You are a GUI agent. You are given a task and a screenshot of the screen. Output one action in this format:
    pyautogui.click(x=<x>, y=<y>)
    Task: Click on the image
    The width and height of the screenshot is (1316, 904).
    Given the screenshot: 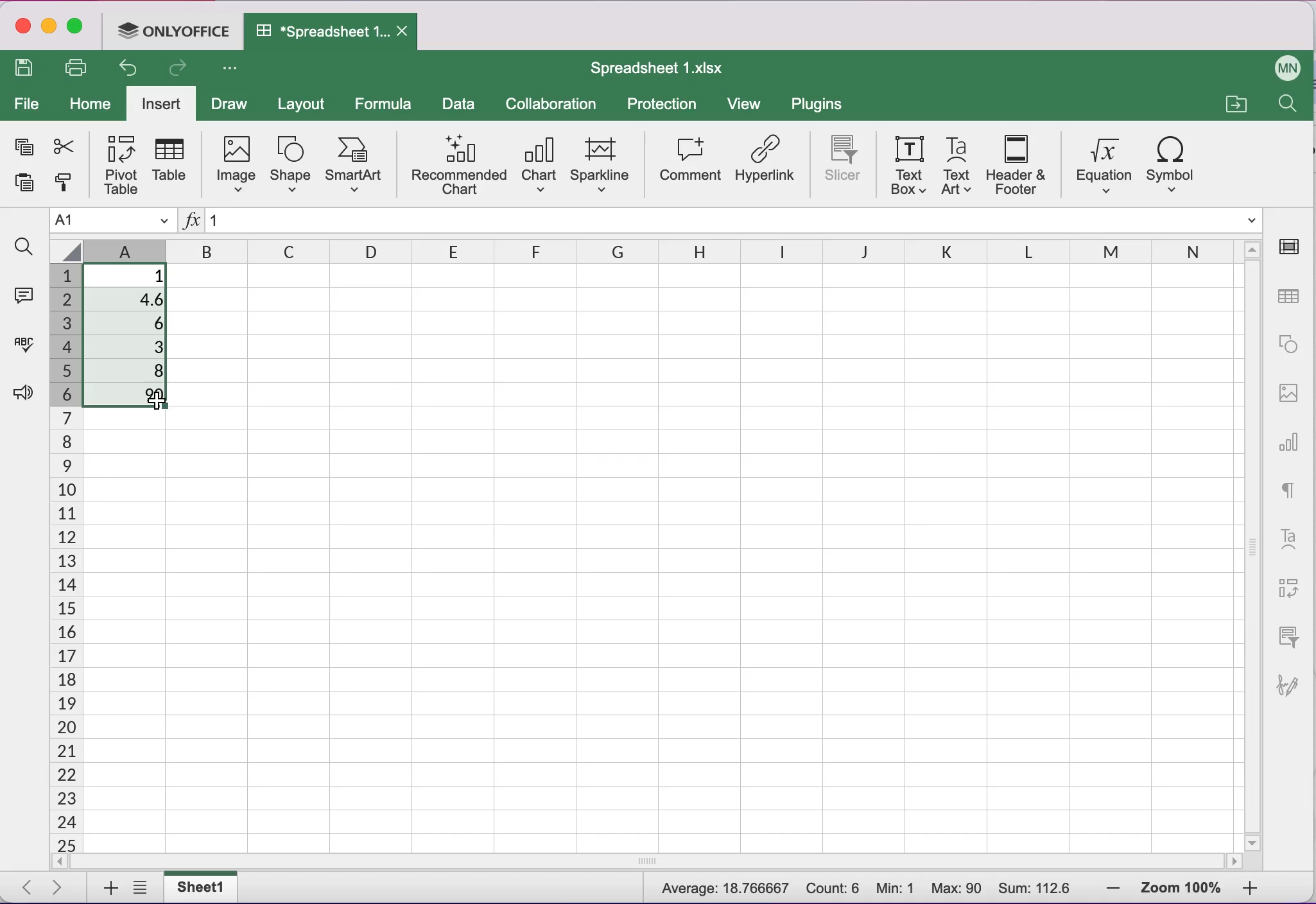 What is the action you would take?
    pyautogui.click(x=1290, y=392)
    